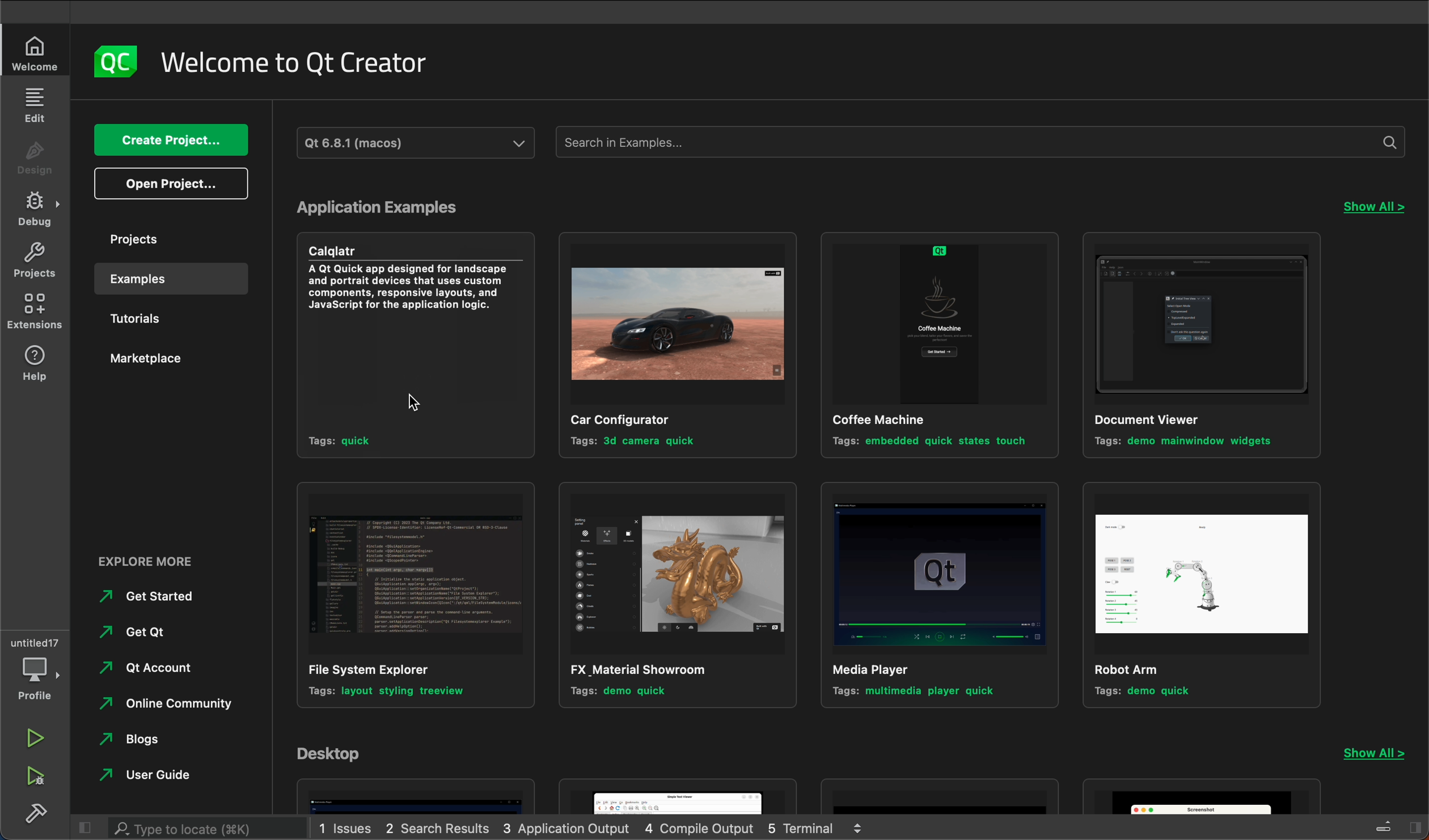  Describe the element at coordinates (159, 667) in the screenshot. I see `qt account` at that location.